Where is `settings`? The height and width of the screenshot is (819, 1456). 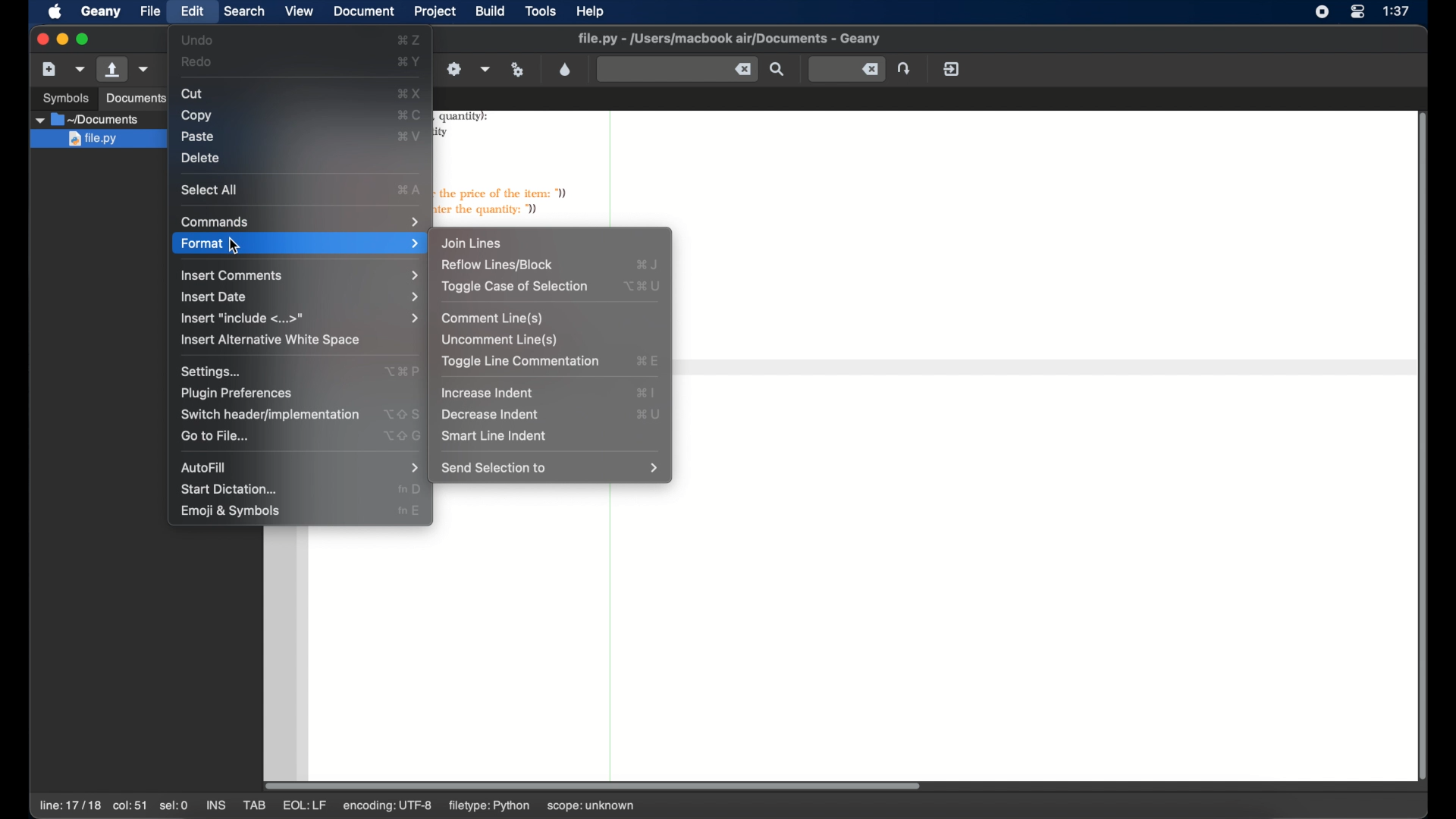
settings is located at coordinates (215, 372).